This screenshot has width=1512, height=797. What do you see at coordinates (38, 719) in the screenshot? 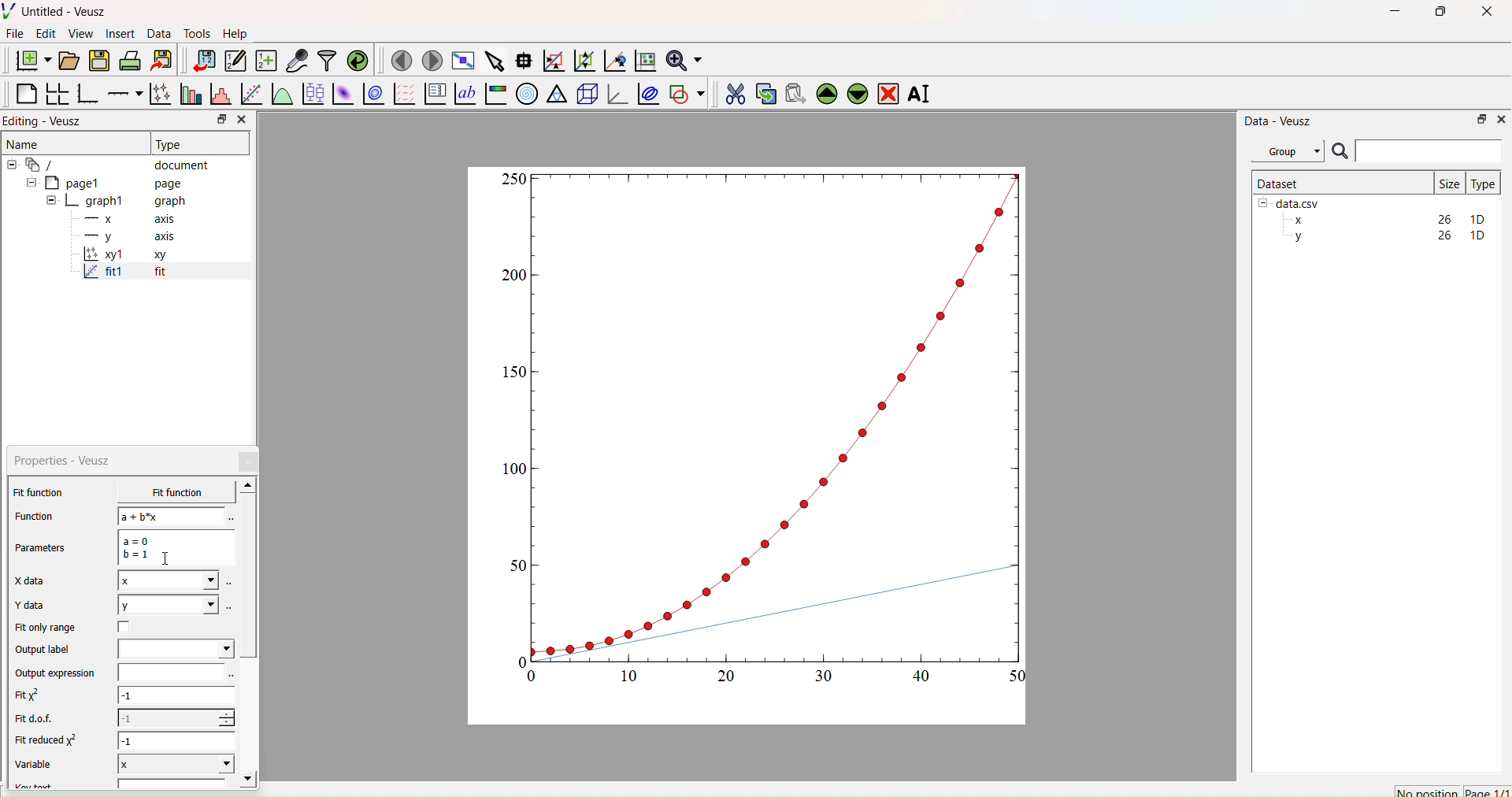
I see `Fit dof.` at bounding box center [38, 719].